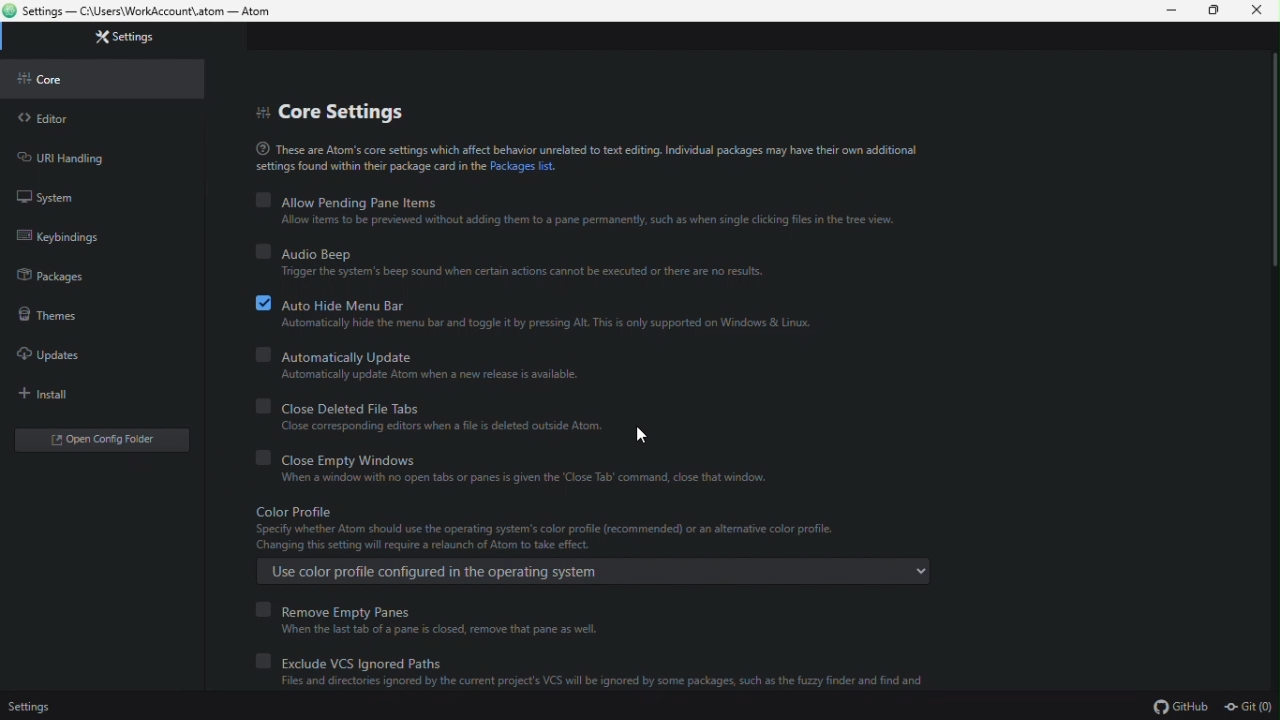  I want to click on github, so click(1181, 708).